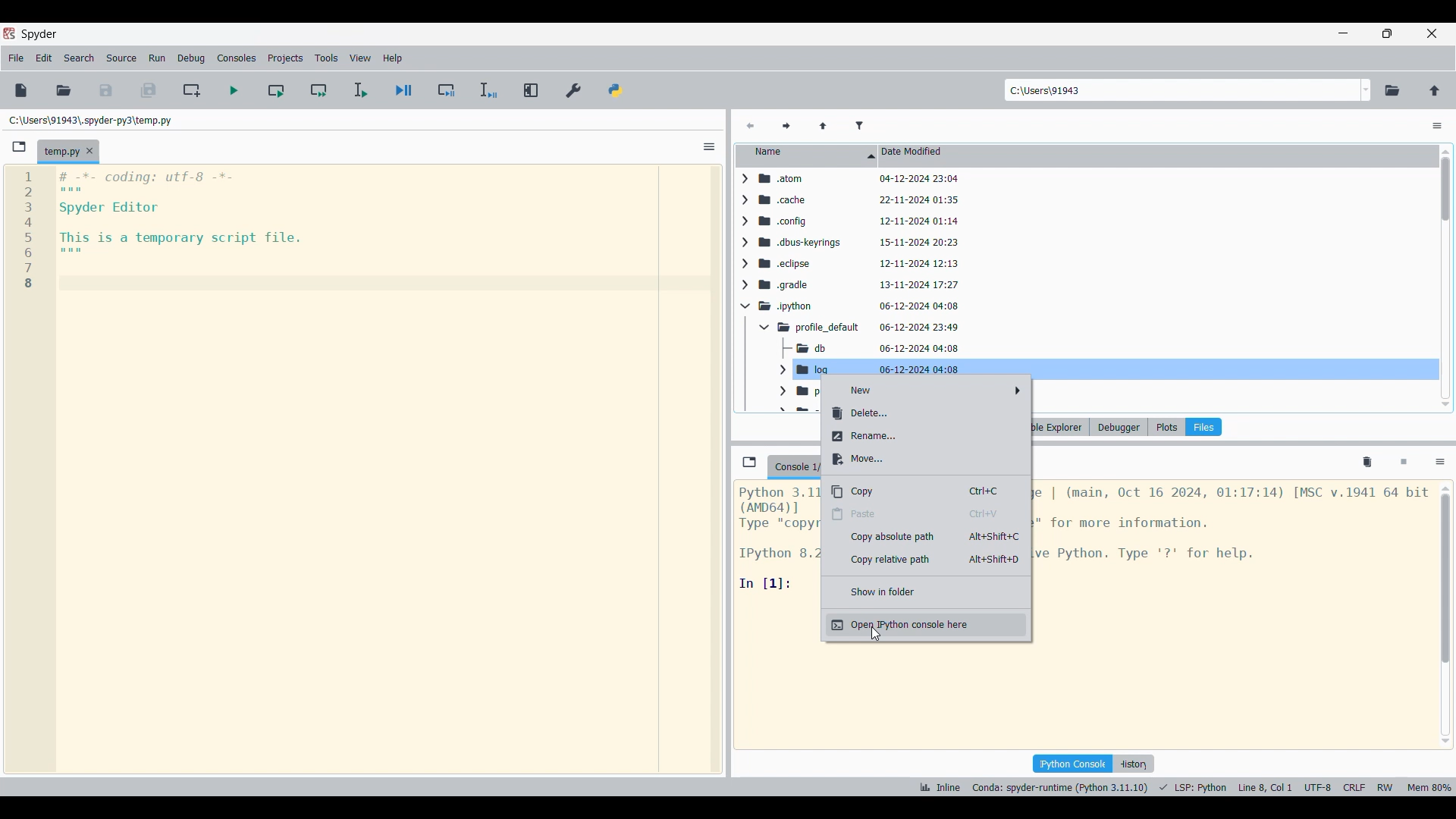  Describe the element at coordinates (927, 391) in the screenshot. I see `New options` at that location.